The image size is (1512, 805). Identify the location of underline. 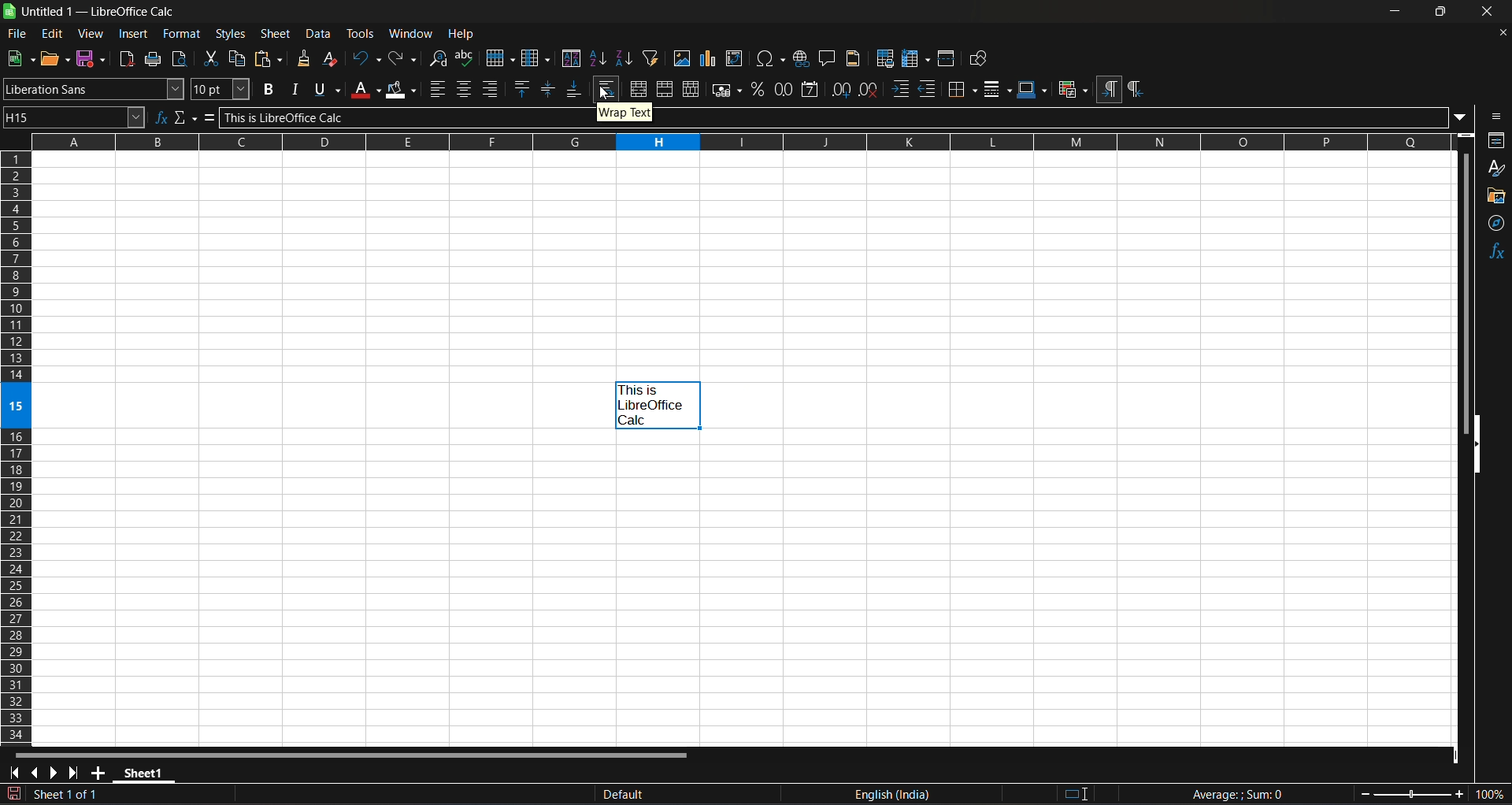
(327, 90).